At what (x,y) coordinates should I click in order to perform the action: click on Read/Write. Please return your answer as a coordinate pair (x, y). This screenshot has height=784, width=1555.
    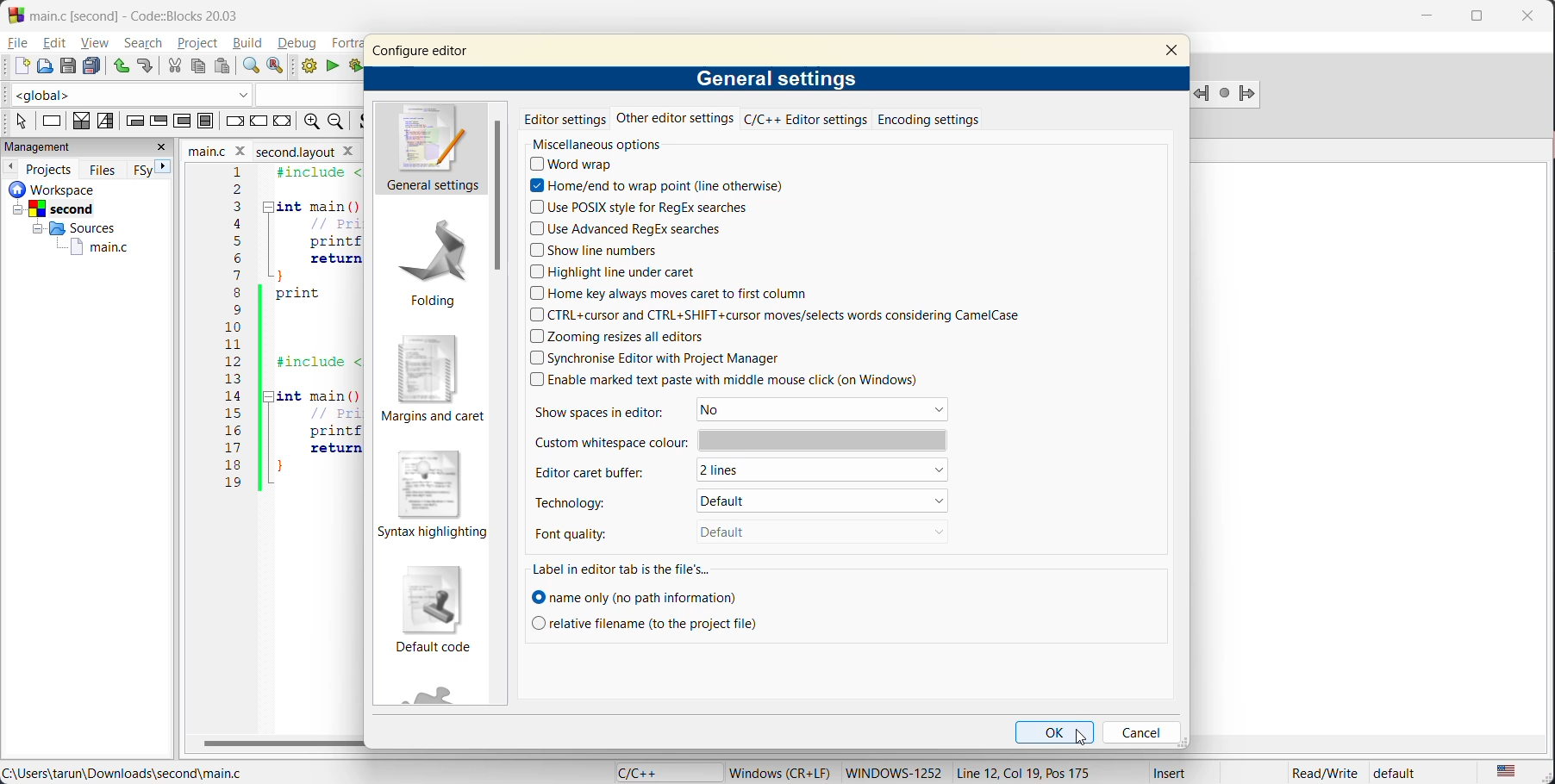
    Looking at the image, I should click on (1319, 774).